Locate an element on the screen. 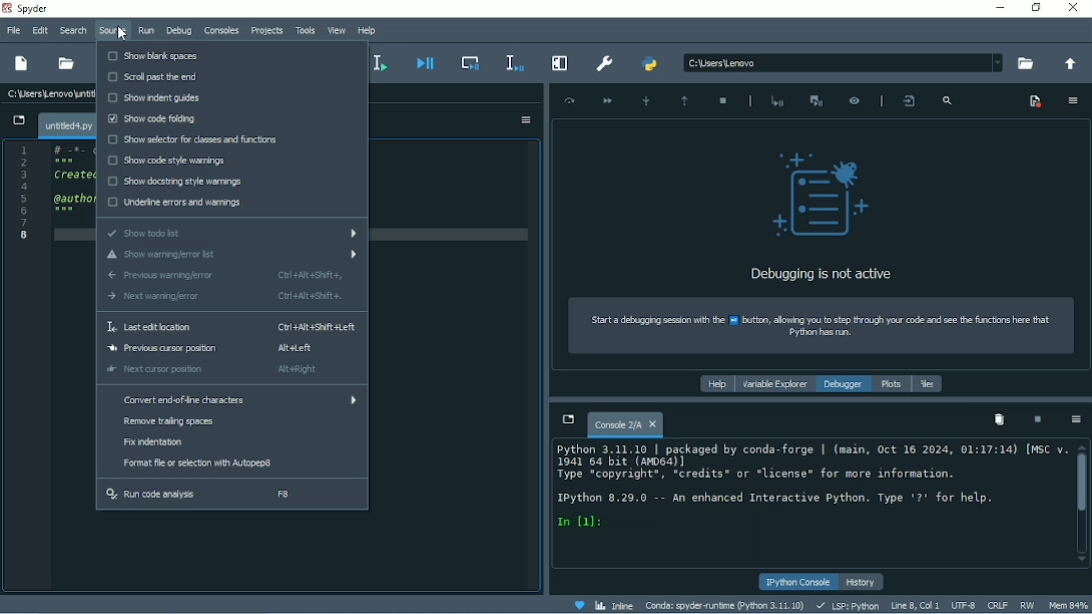 The width and height of the screenshot is (1092, 614). Tools is located at coordinates (305, 31).